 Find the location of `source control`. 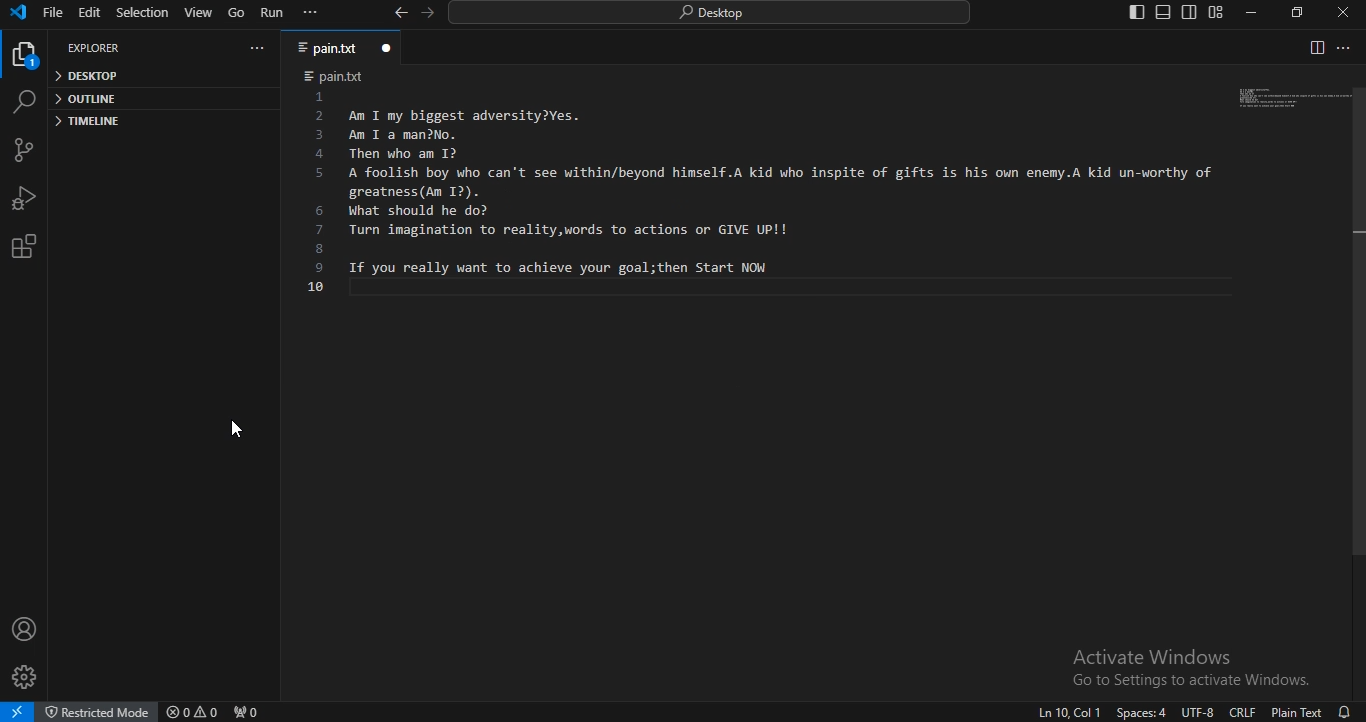

source control is located at coordinates (22, 149).